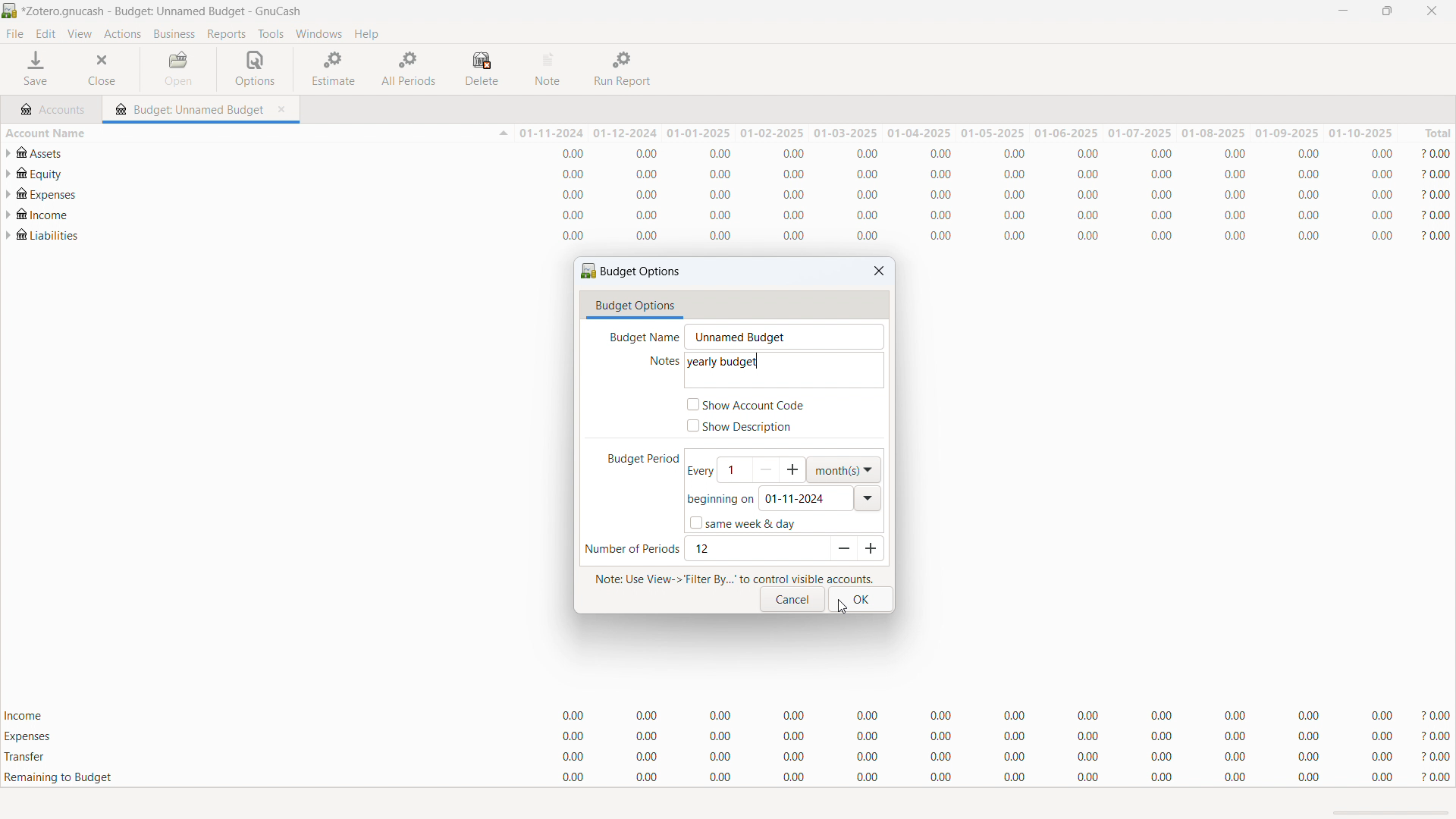  I want to click on description typed i, so click(785, 369).